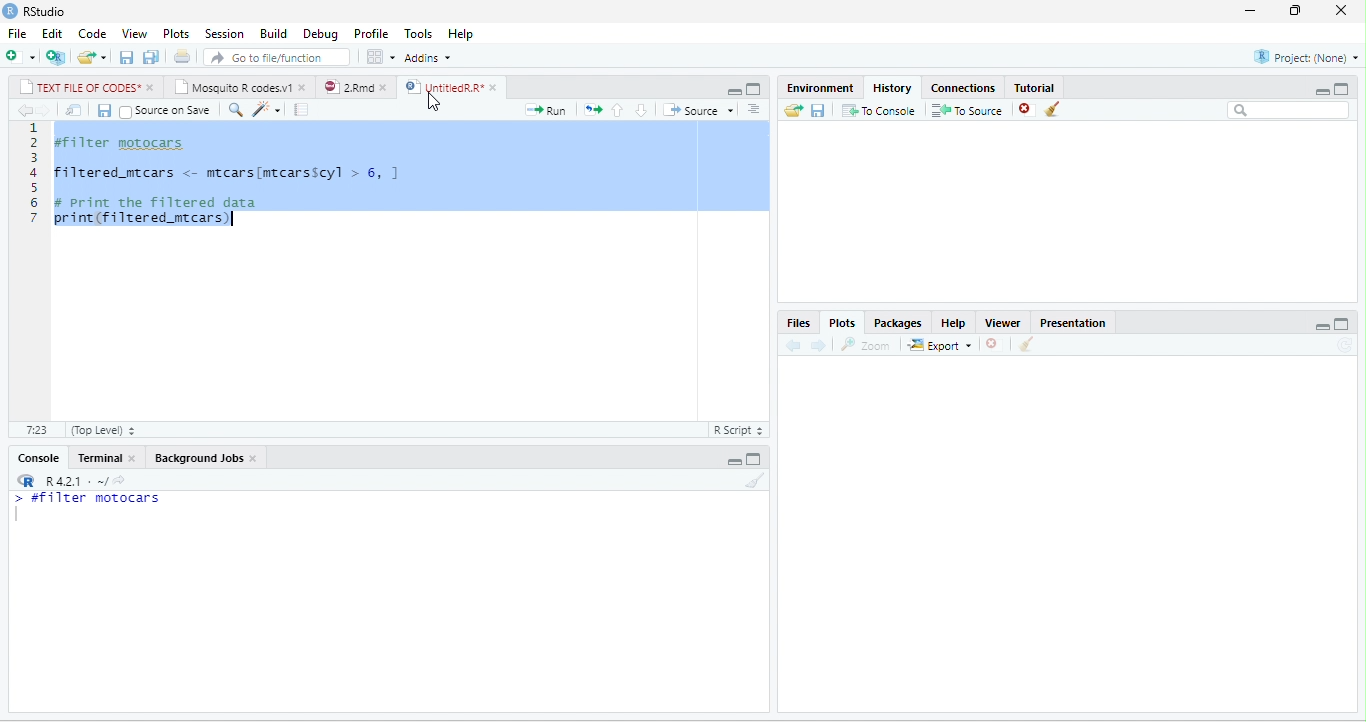  What do you see at coordinates (1002, 323) in the screenshot?
I see `Viewer` at bounding box center [1002, 323].